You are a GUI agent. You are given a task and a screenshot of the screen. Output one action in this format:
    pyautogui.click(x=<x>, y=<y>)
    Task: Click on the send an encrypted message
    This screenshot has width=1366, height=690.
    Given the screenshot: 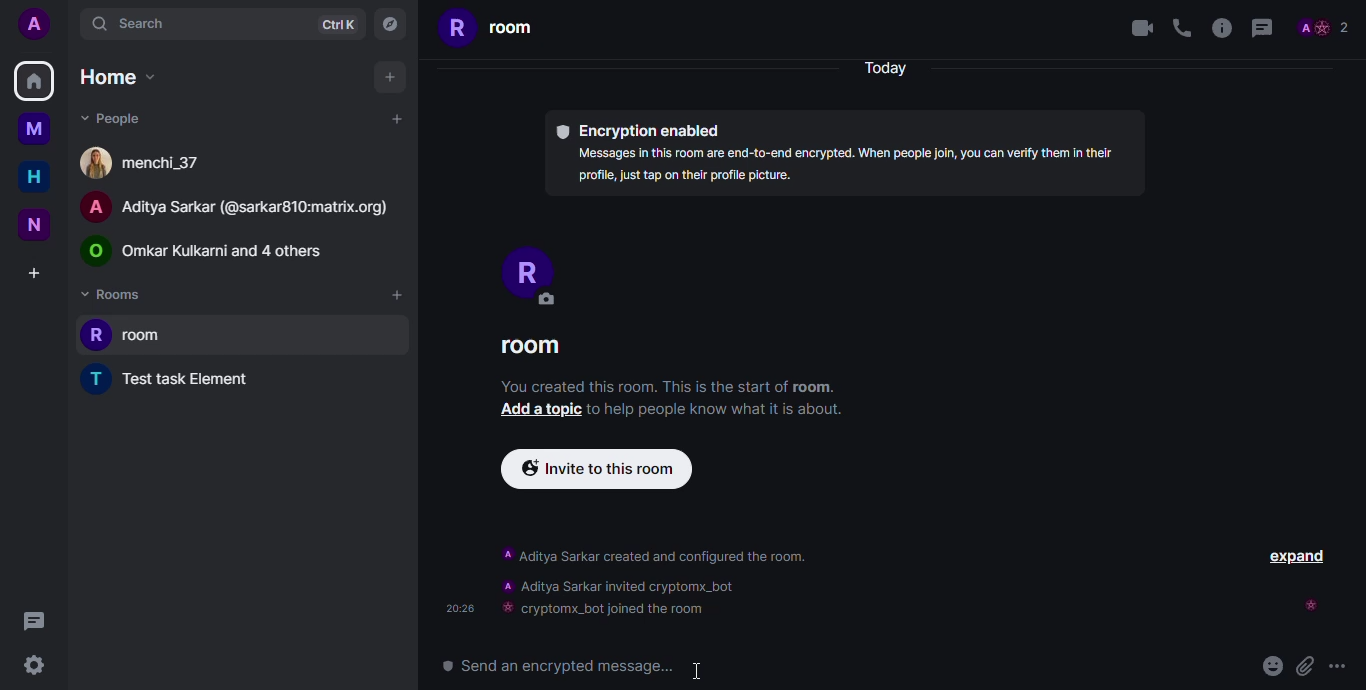 What is the action you would take?
    pyautogui.click(x=582, y=665)
    